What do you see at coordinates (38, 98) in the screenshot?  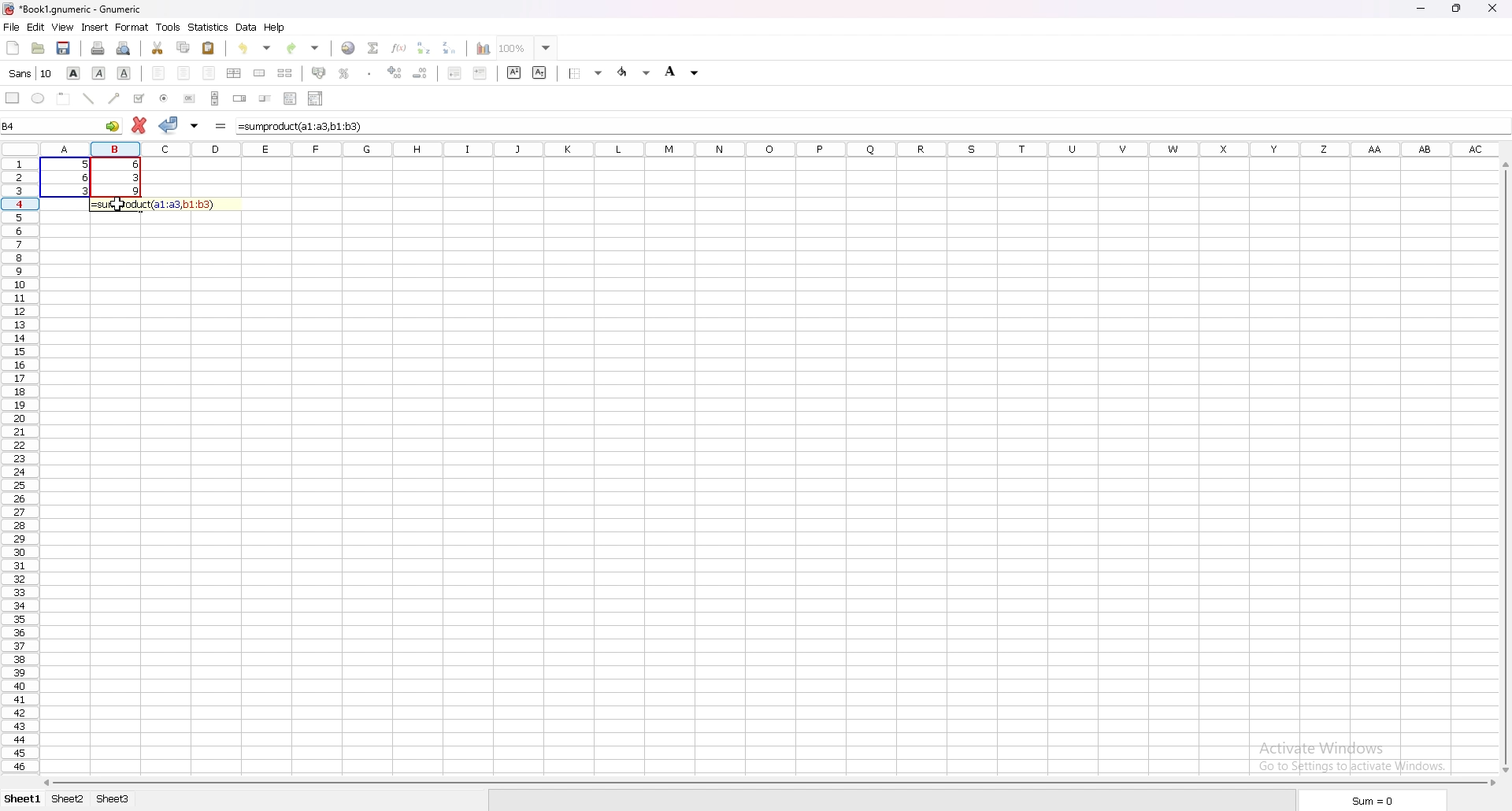 I see `ellipse` at bounding box center [38, 98].